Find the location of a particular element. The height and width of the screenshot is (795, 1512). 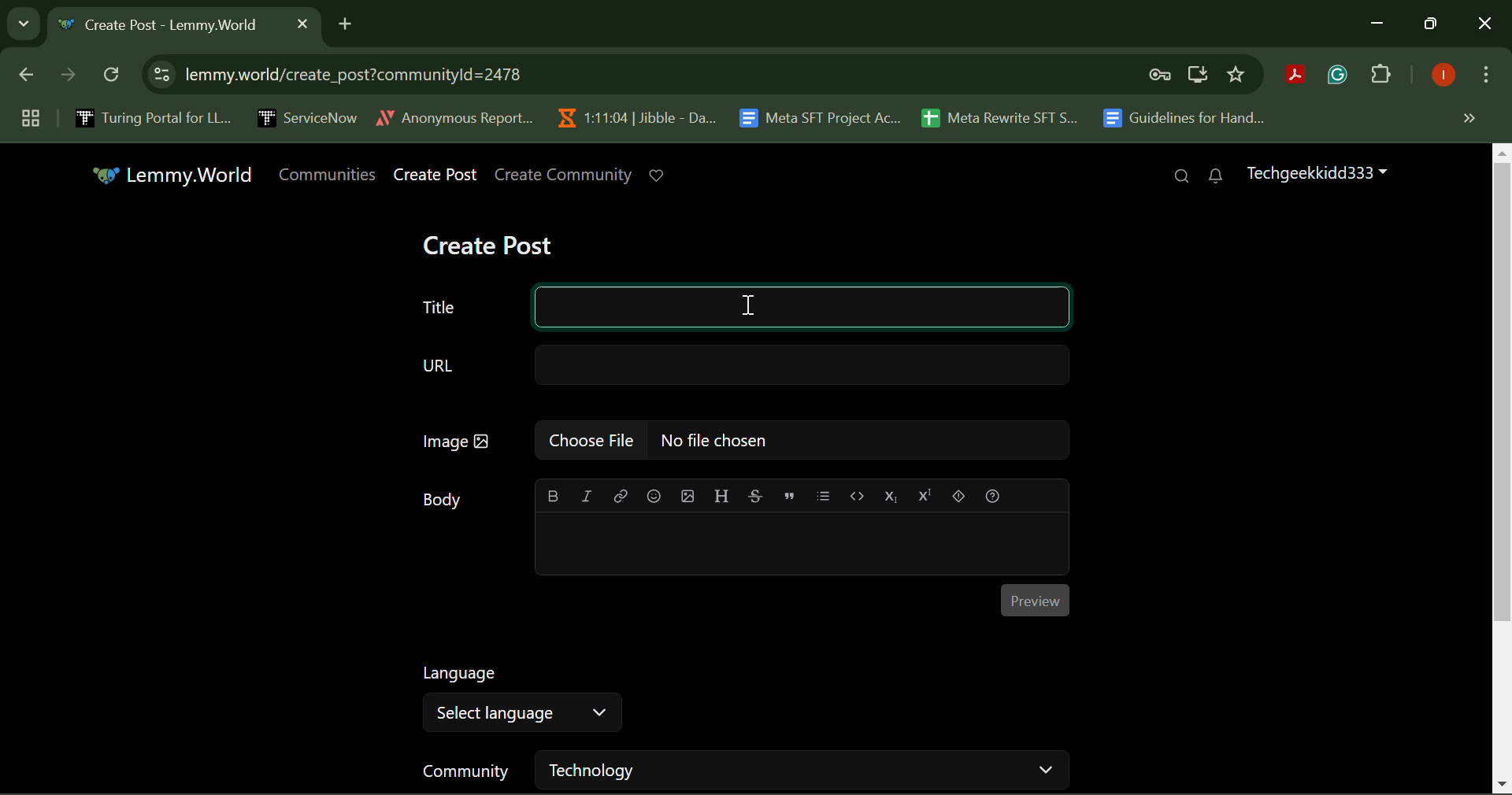

code is located at coordinates (855, 494).